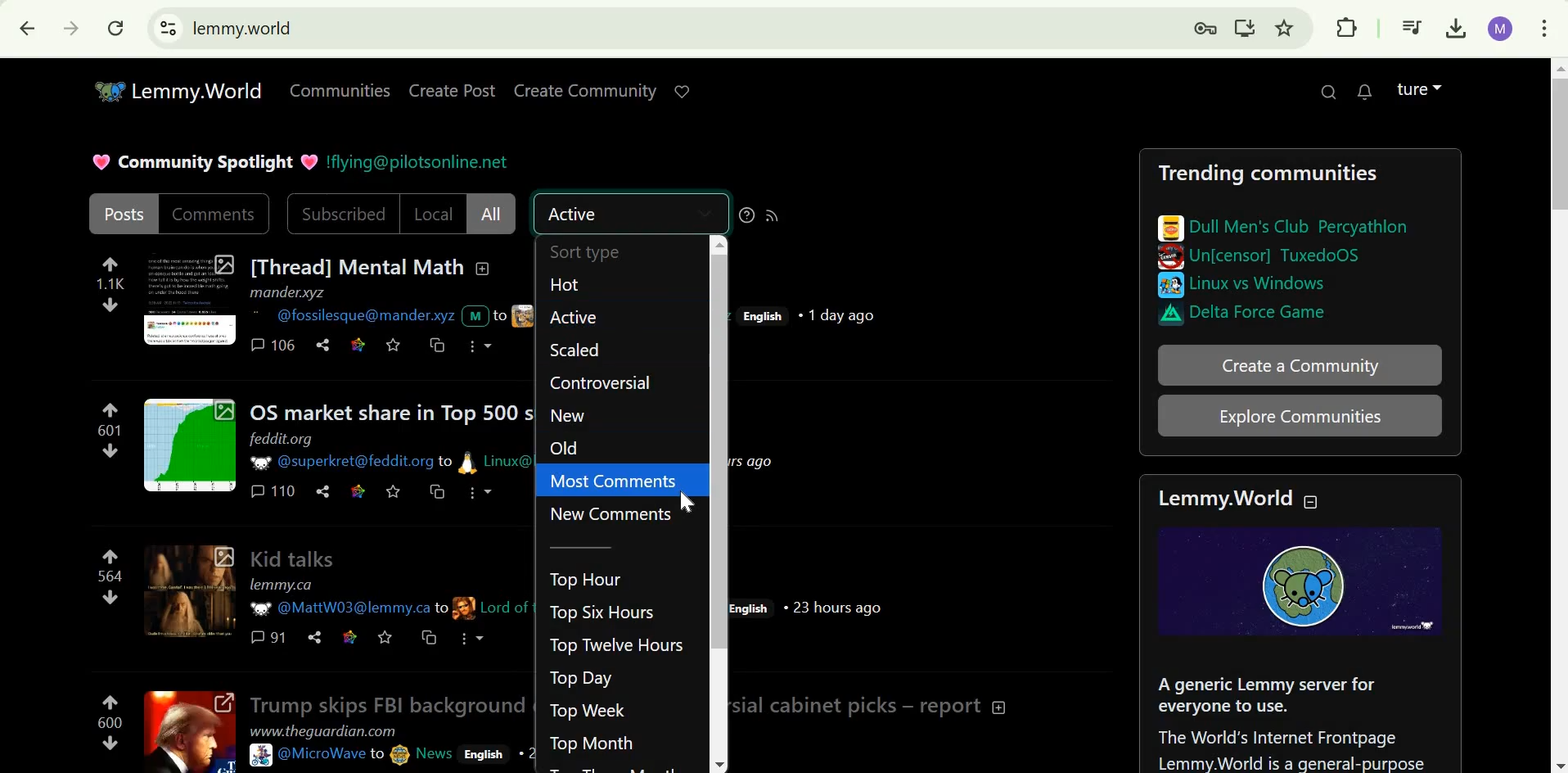 This screenshot has width=1568, height=773. Describe the element at coordinates (1169, 258) in the screenshot. I see `image` at that location.